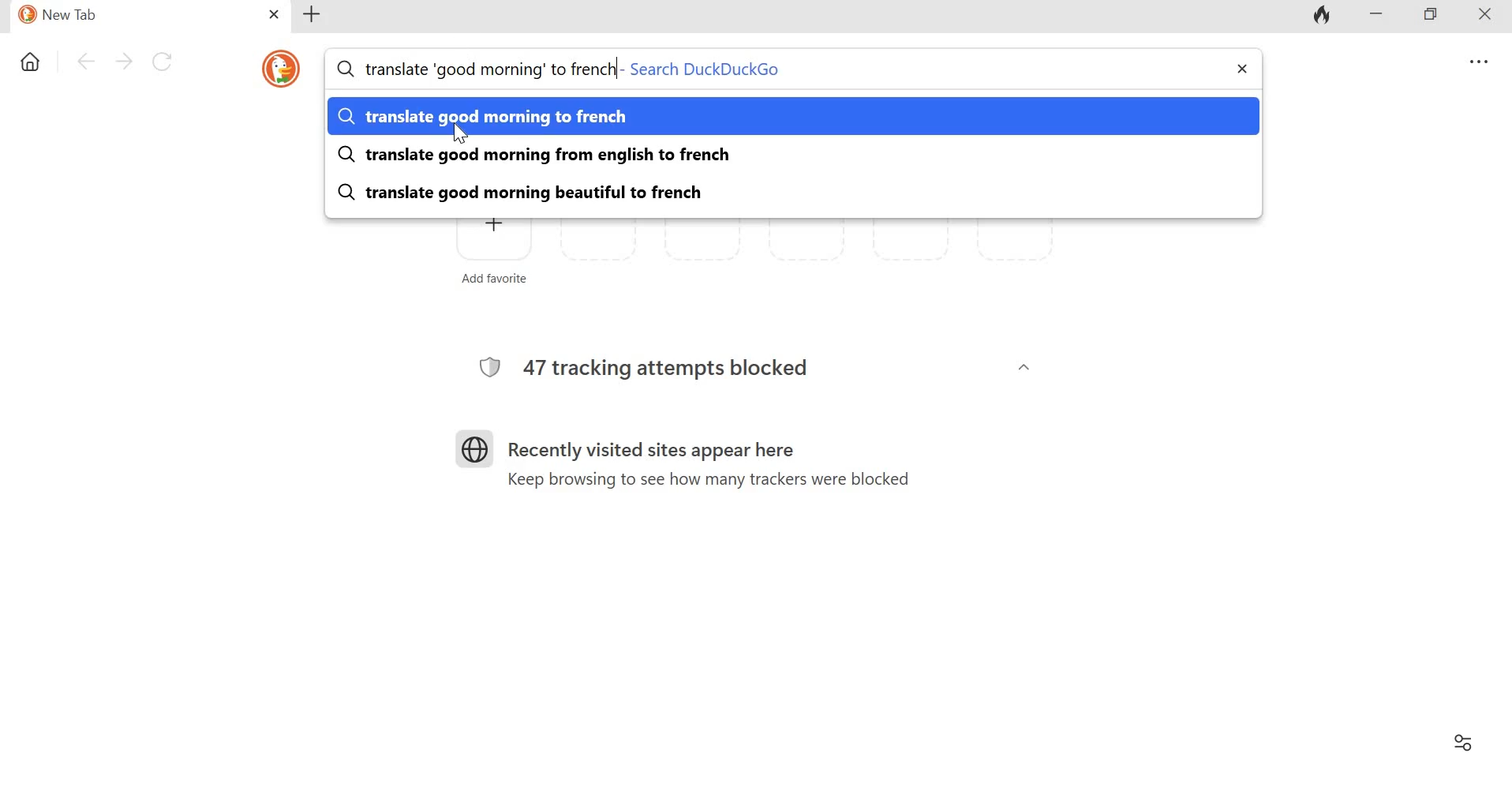 Image resolution: width=1512 pixels, height=791 pixels. I want to click on Go forward one page, so click(122, 63).